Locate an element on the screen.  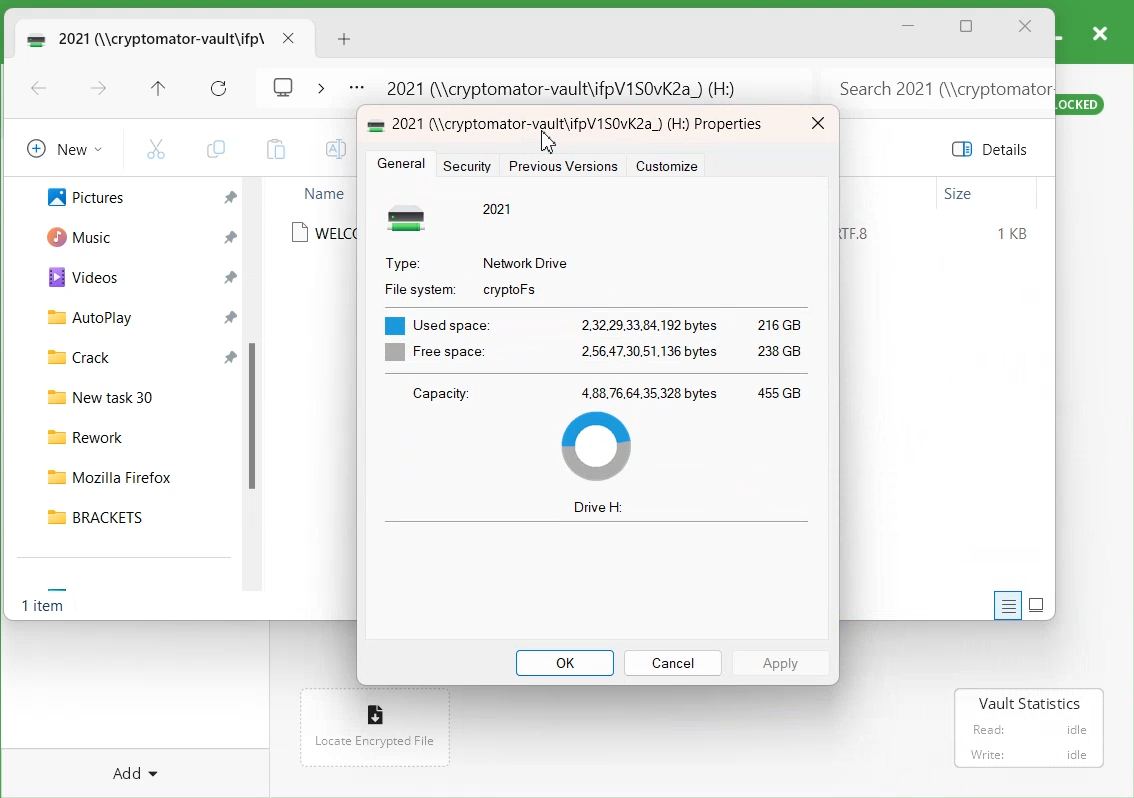
Write: idle is located at coordinates (1030, 754).